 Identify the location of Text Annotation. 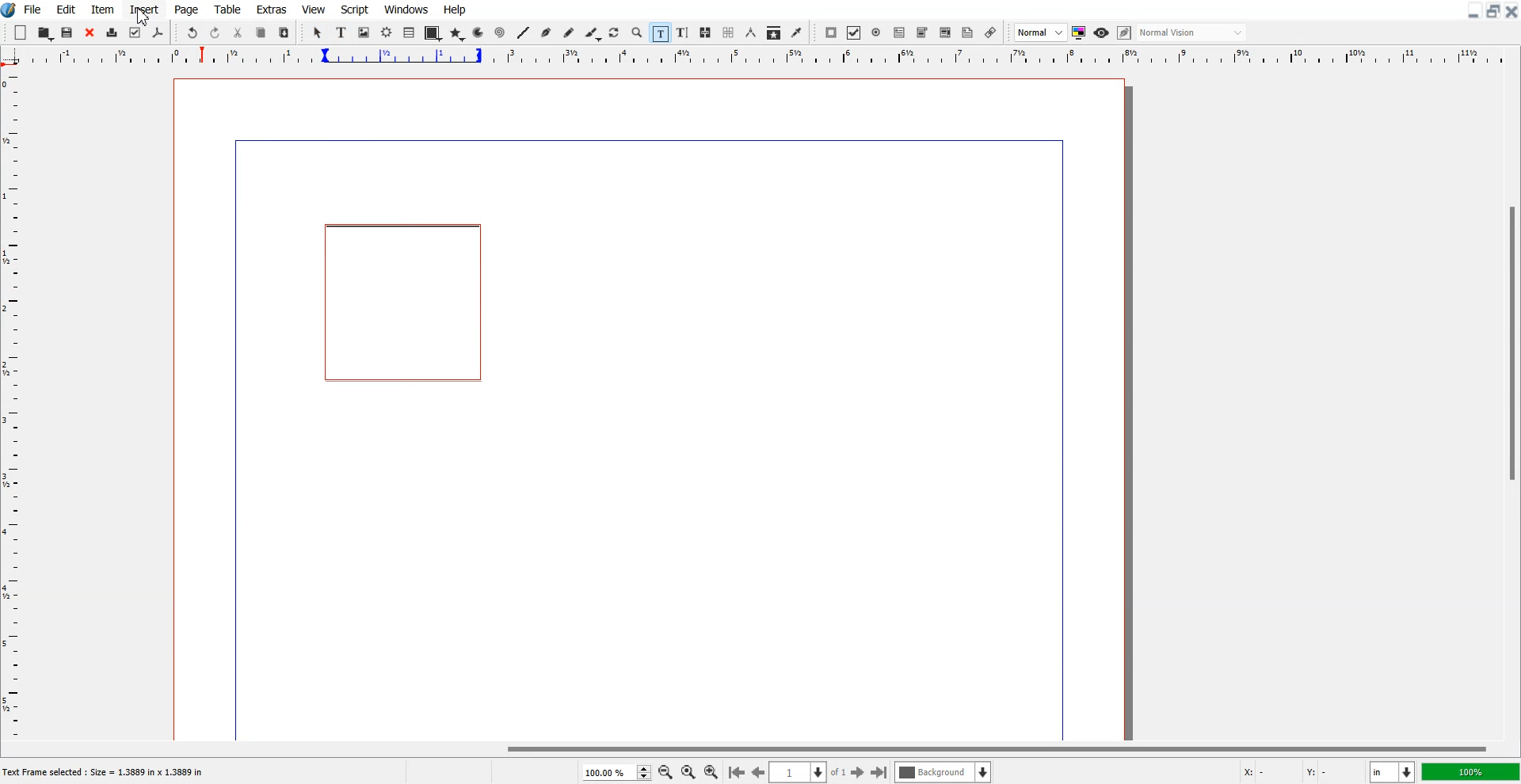
(967, 33).